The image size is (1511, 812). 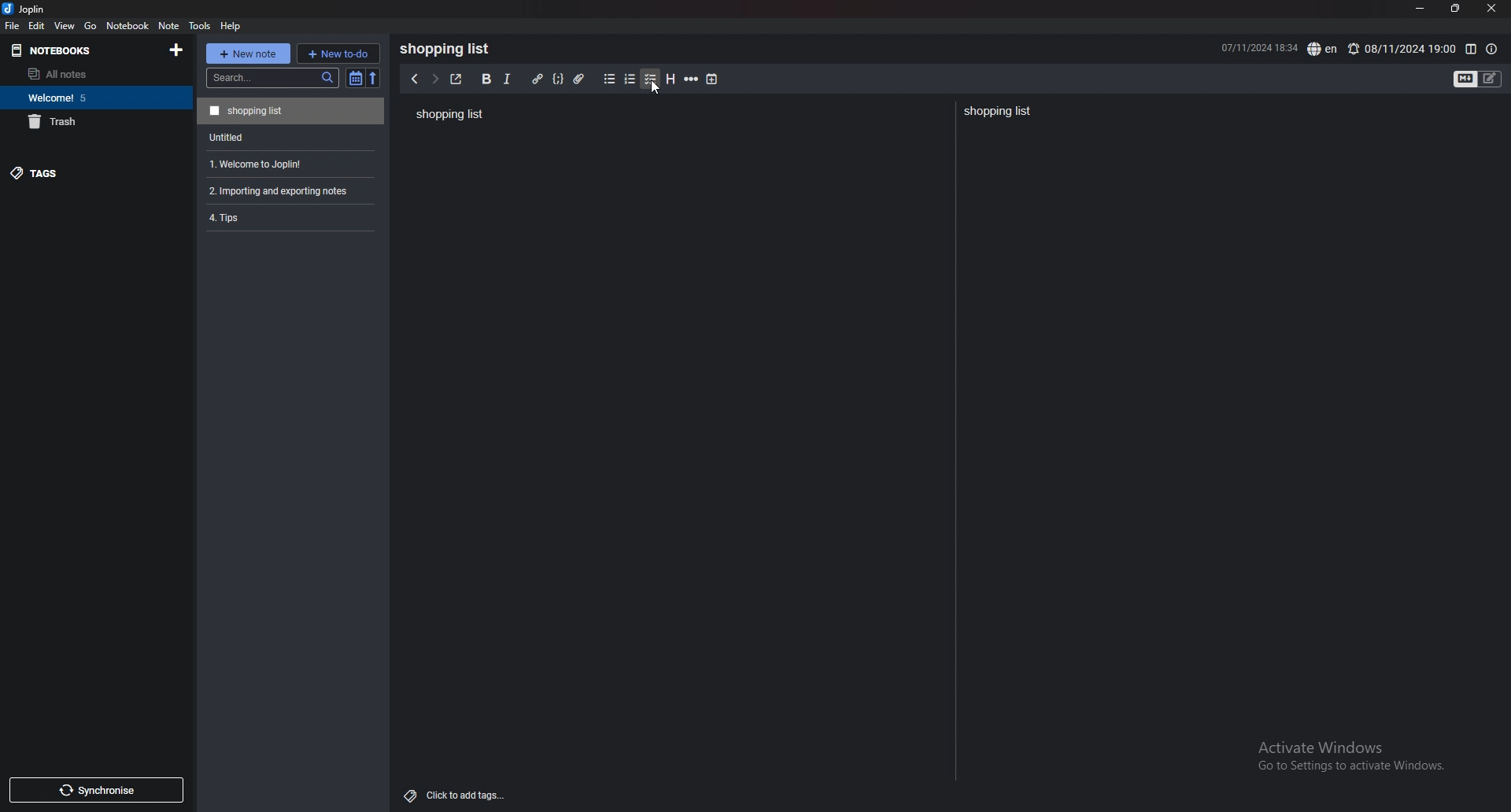 What do you see at coordinates (290, 110) in the screenshot?
I see `Shopping list` at bounding box center [290, 110].